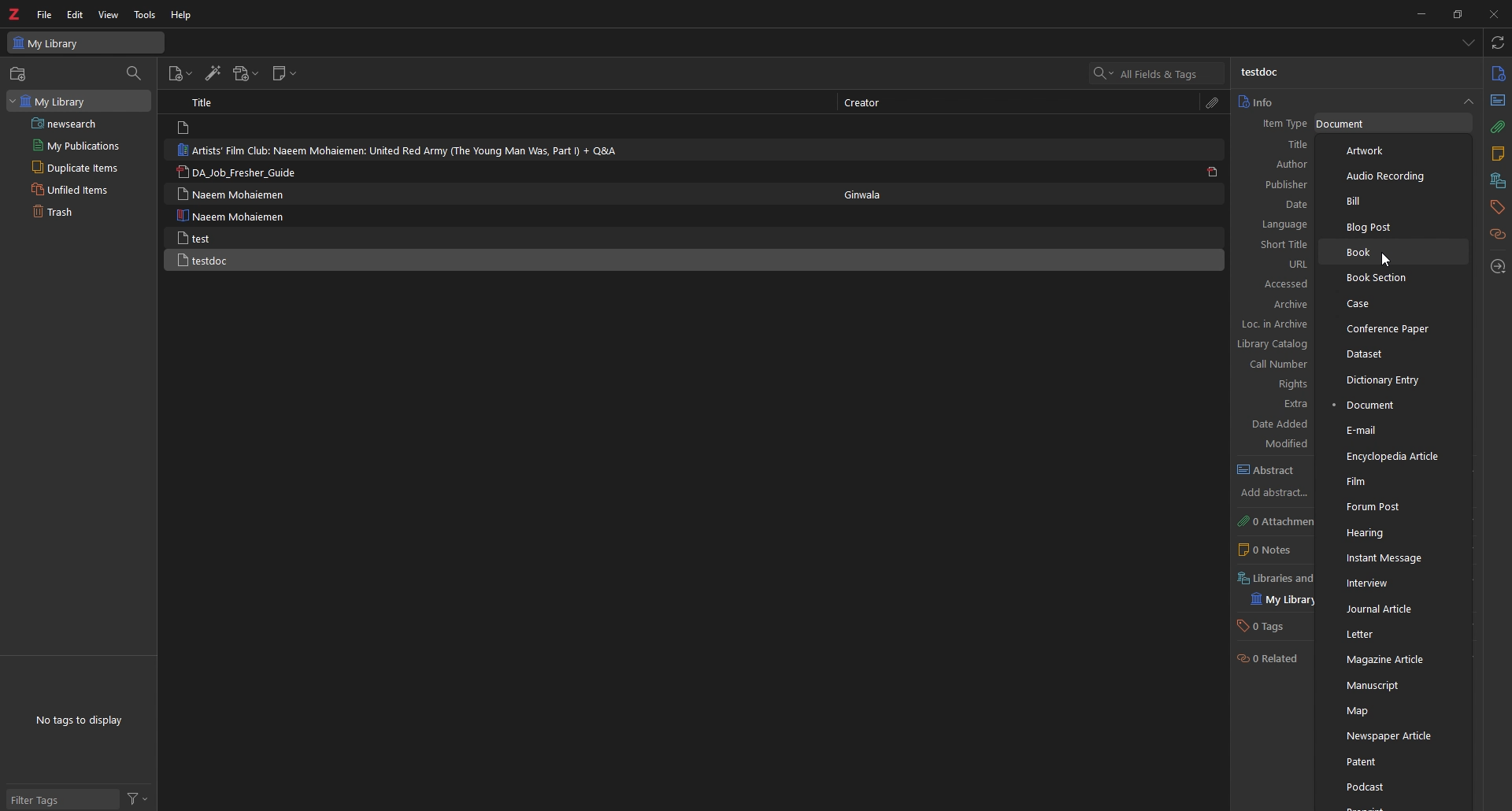 The height and width of the screenshot is (811, 1512). I want to click on Extra, so click(1277, 404).